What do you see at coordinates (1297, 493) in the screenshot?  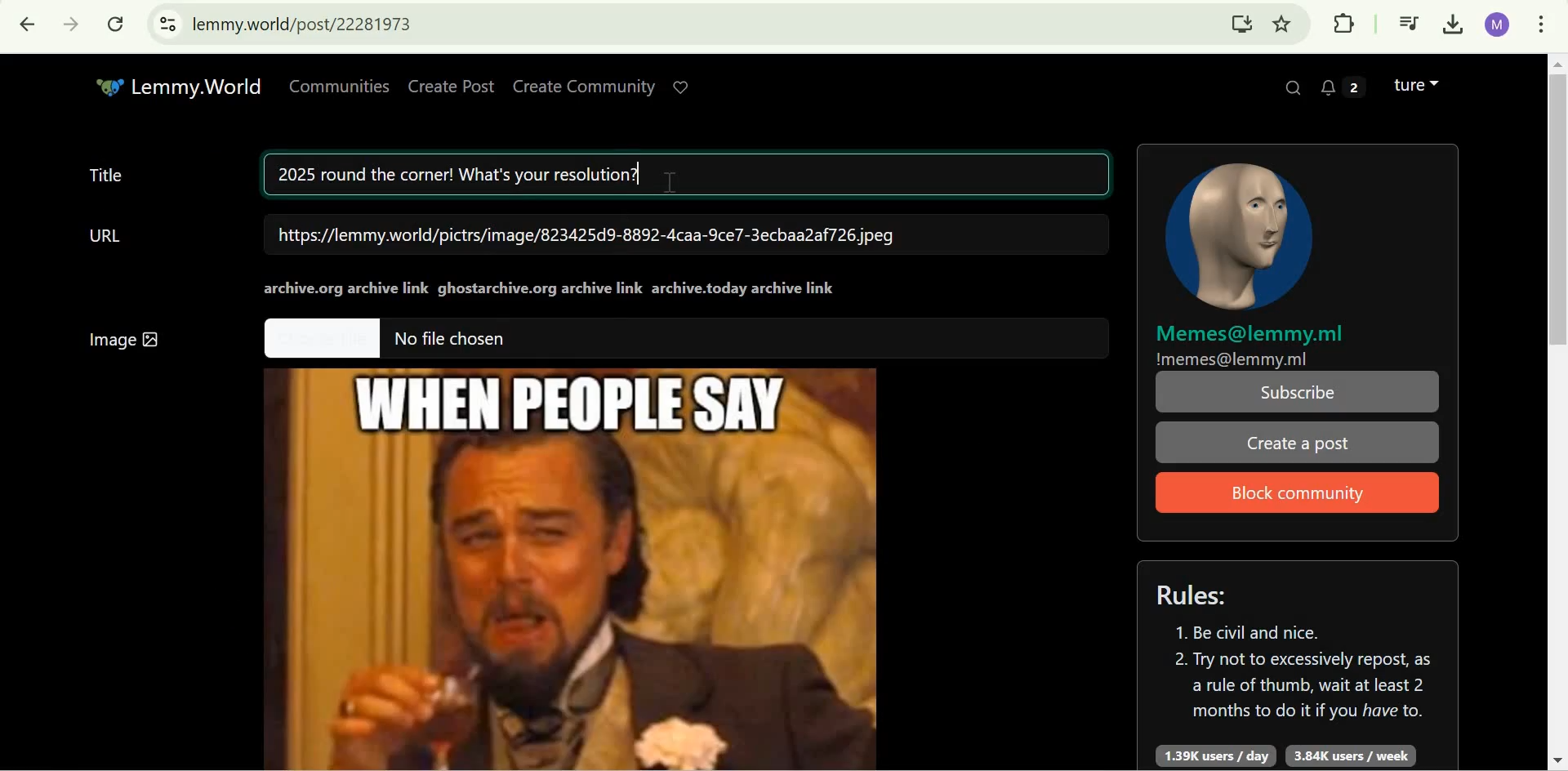 I see `Block Community` at bounding box center [1297, 493].